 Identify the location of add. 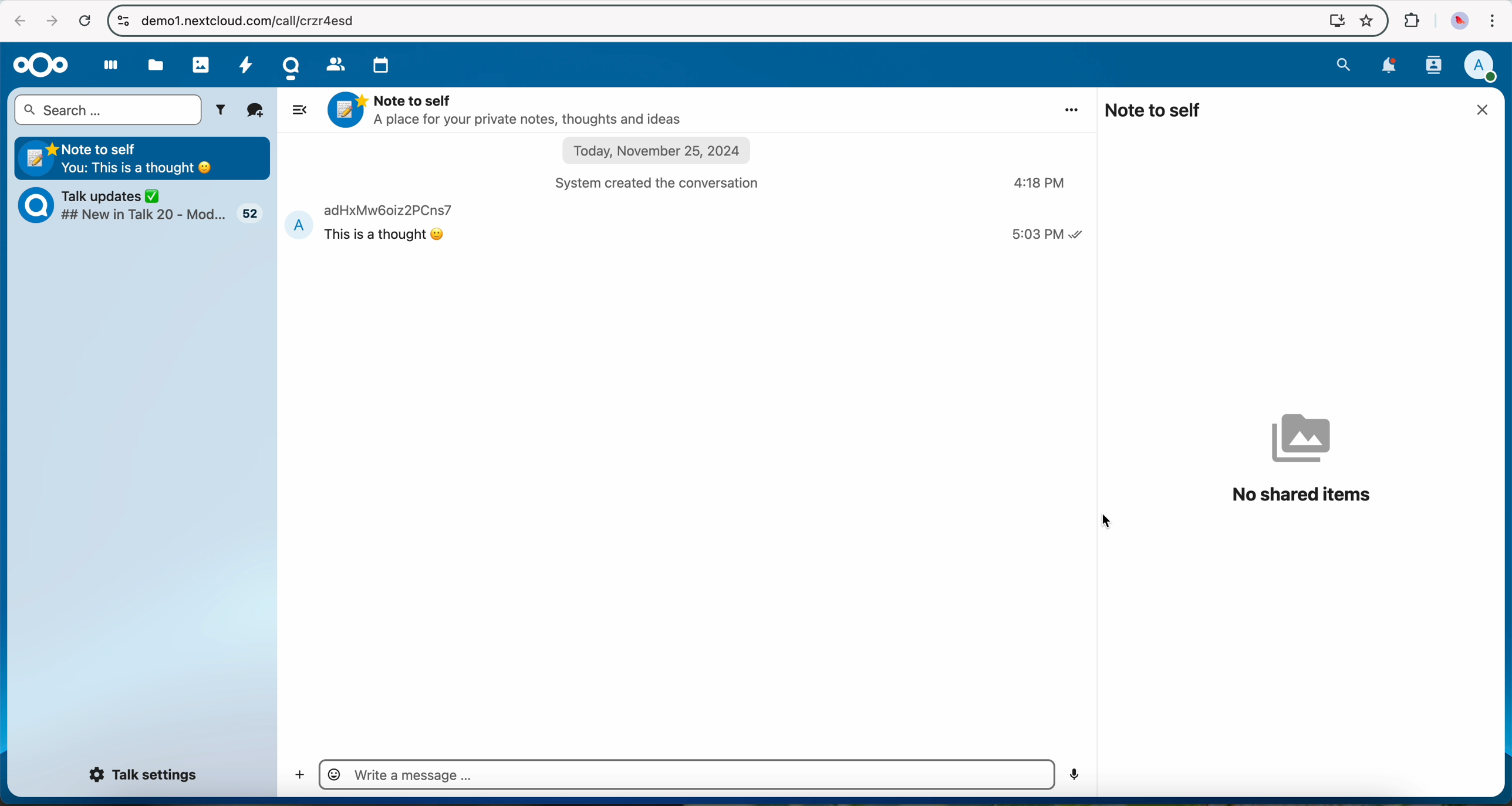
(296, 776).